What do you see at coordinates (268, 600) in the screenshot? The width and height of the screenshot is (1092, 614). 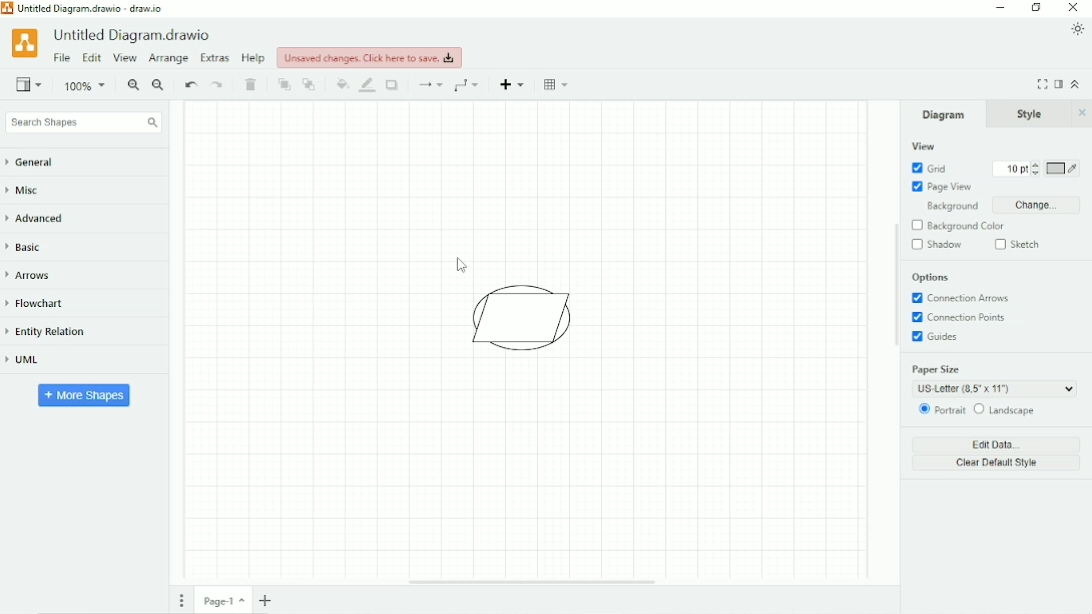 I see `Insert page` at bounding box center [268, 600].